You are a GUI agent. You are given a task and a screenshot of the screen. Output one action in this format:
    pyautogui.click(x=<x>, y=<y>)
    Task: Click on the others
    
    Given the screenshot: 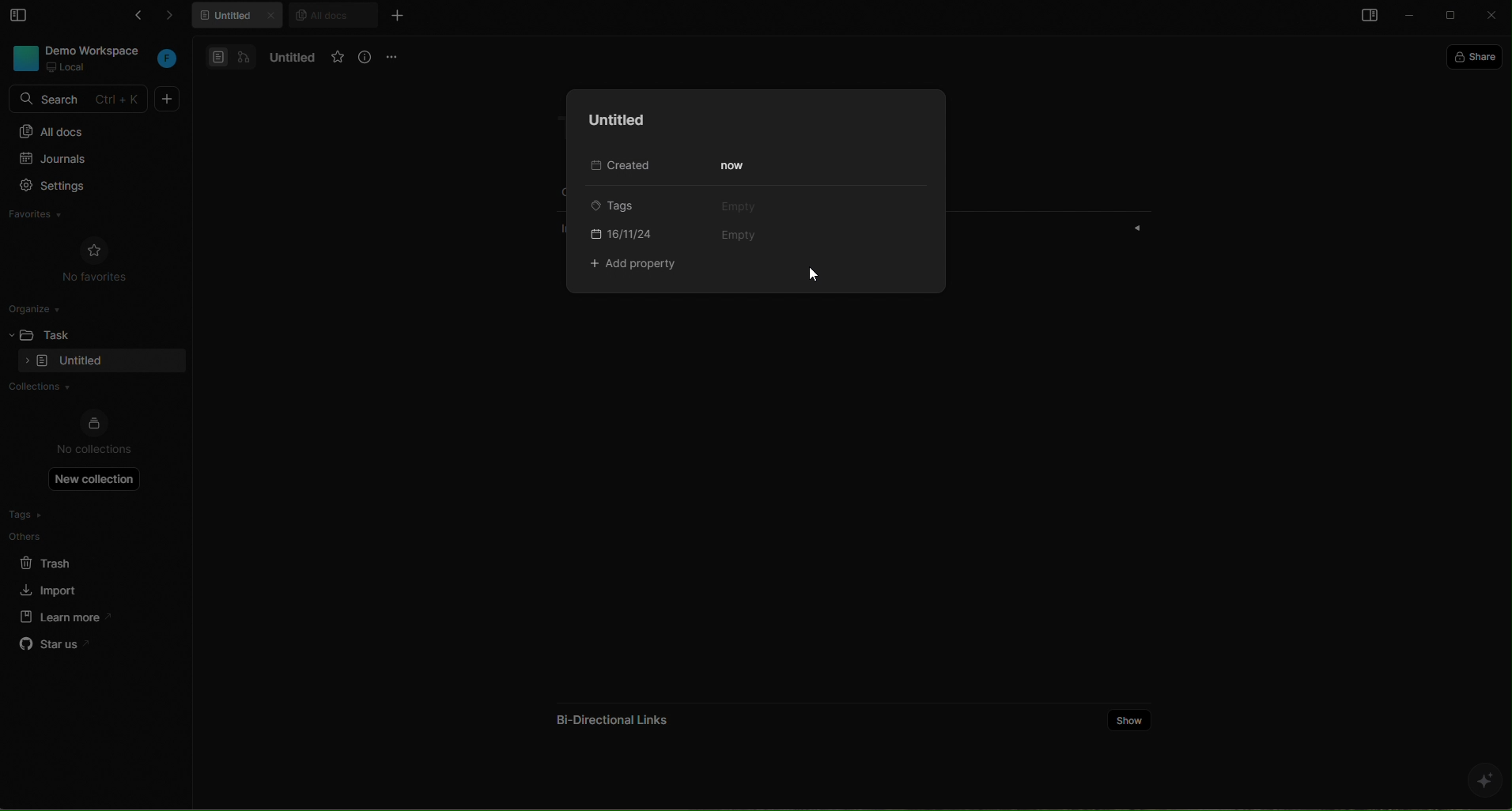 What is the action you would take?
    pyautogui.click(x=59, y=536)
    